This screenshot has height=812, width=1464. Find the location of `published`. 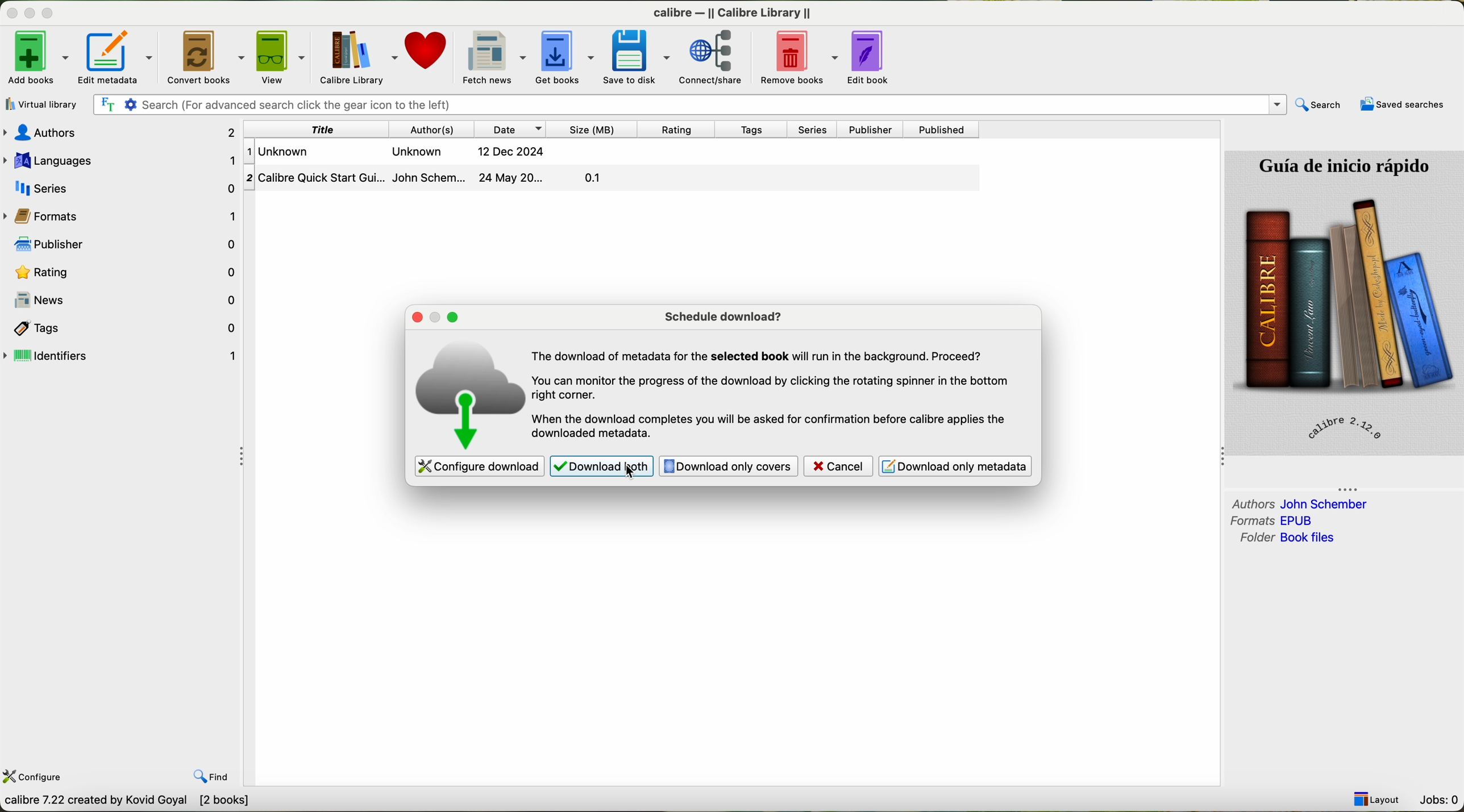

published is located at coordinates (942, 130).